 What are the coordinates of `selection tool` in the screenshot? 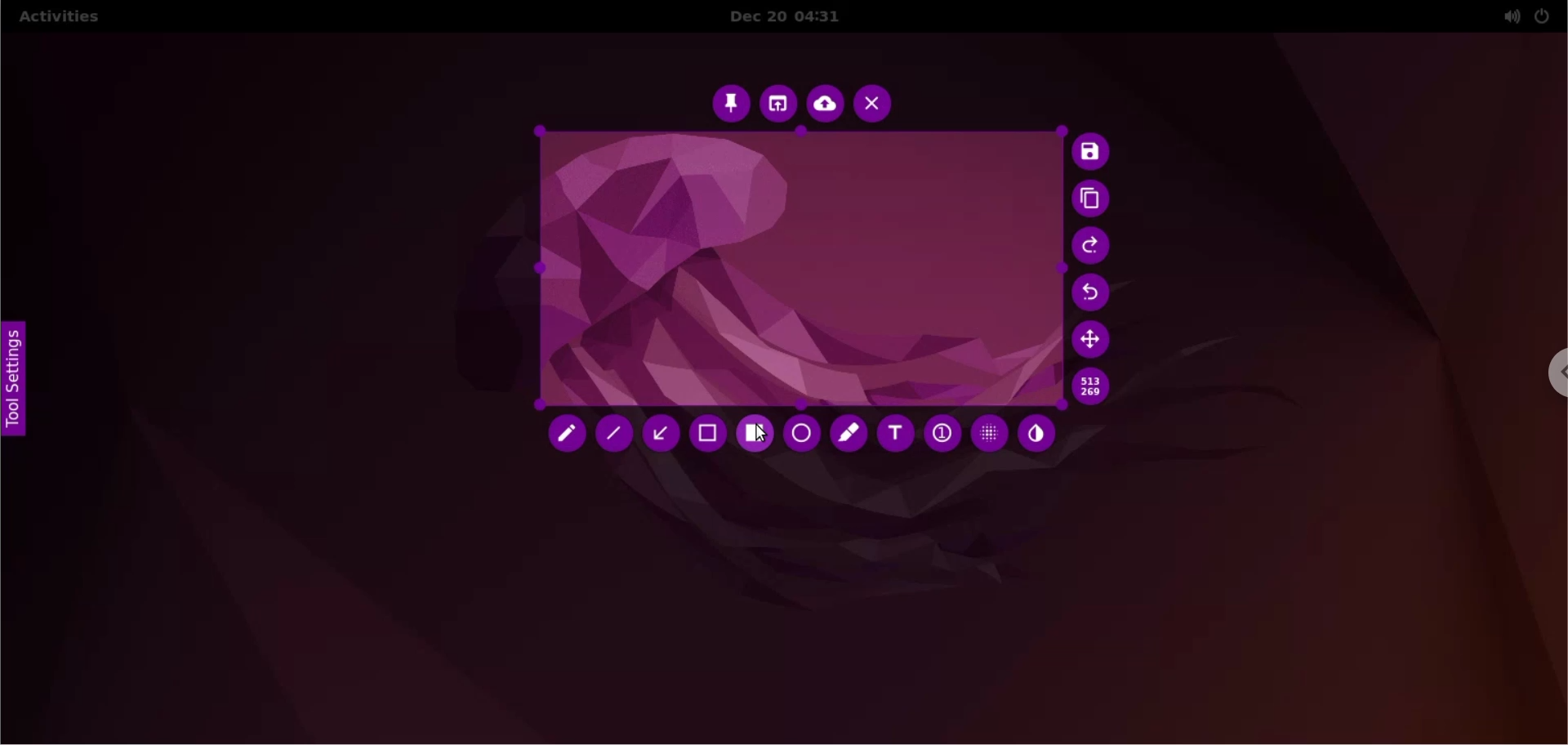 It's located at (707, 436).